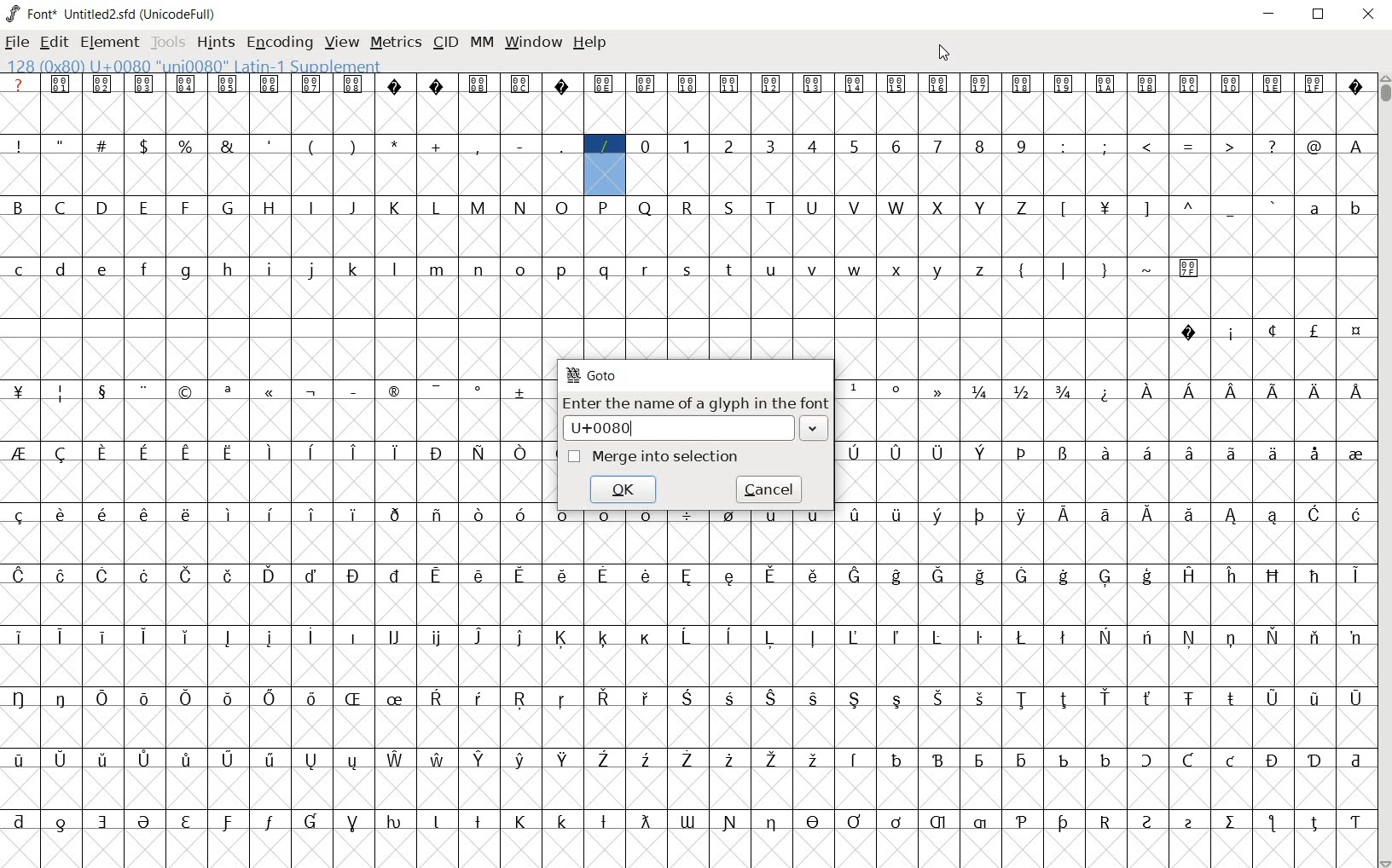 The height and width of the screenshot is (868, 1392). What do you see at coordinates (1190, 205) in the screenshot?
I see `glyph` at bounding box center [1190, 205].